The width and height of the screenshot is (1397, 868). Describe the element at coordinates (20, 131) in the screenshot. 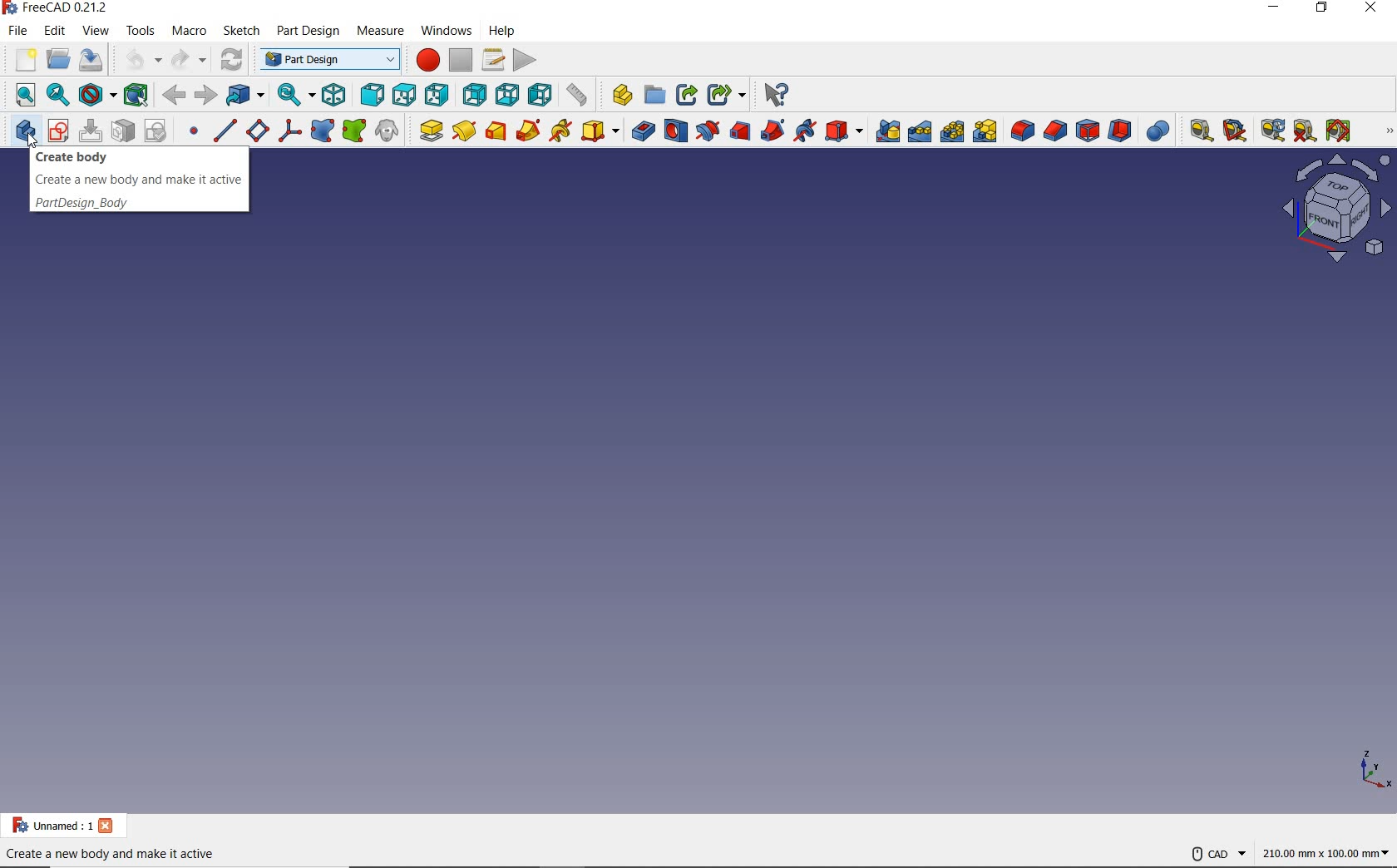

I see `CREATE BODY` at that location.